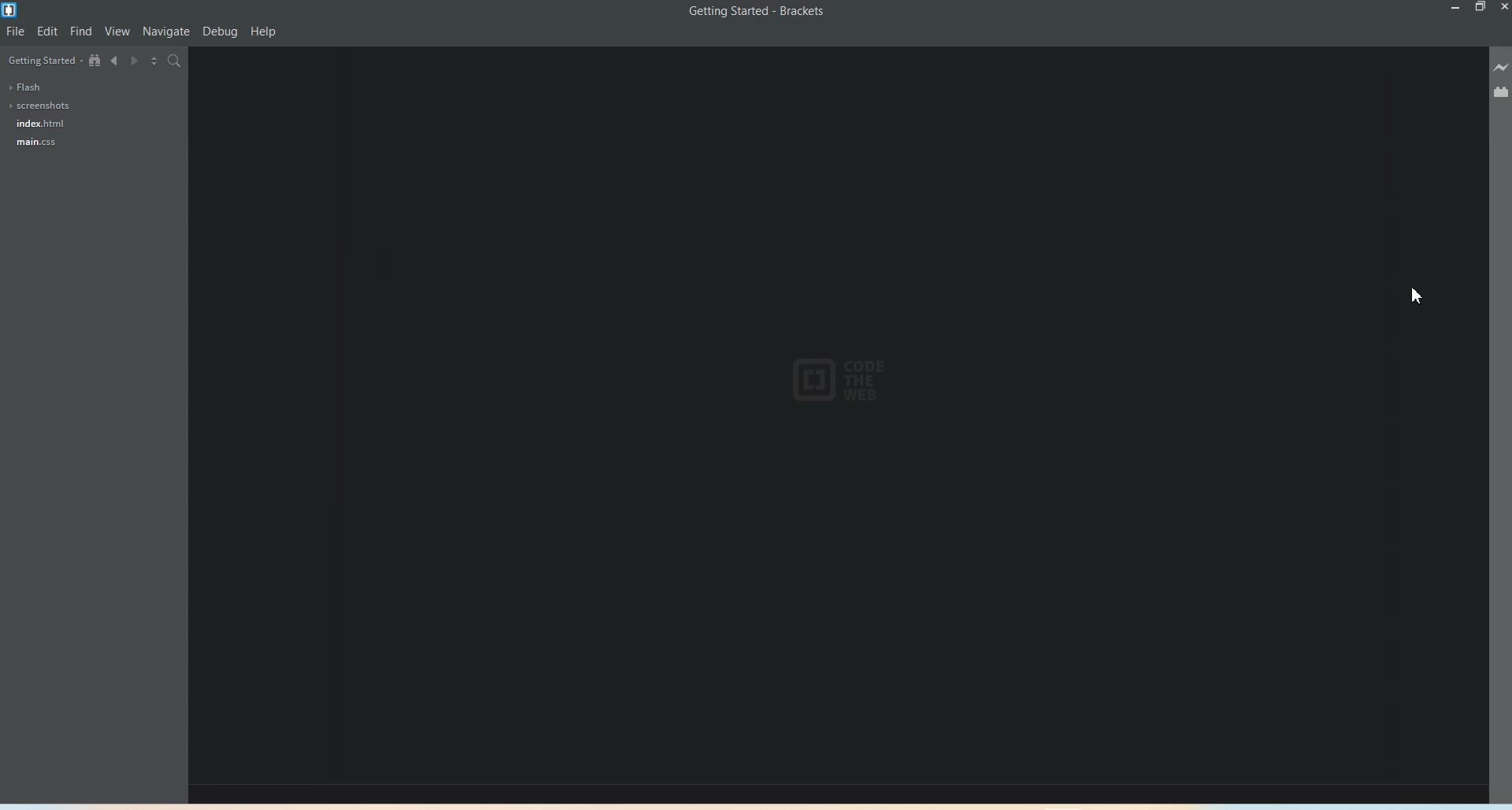  What do you see at coordinates (220, 32) in the screenshot?
I see `Debug` at bounding box center [220, 32].